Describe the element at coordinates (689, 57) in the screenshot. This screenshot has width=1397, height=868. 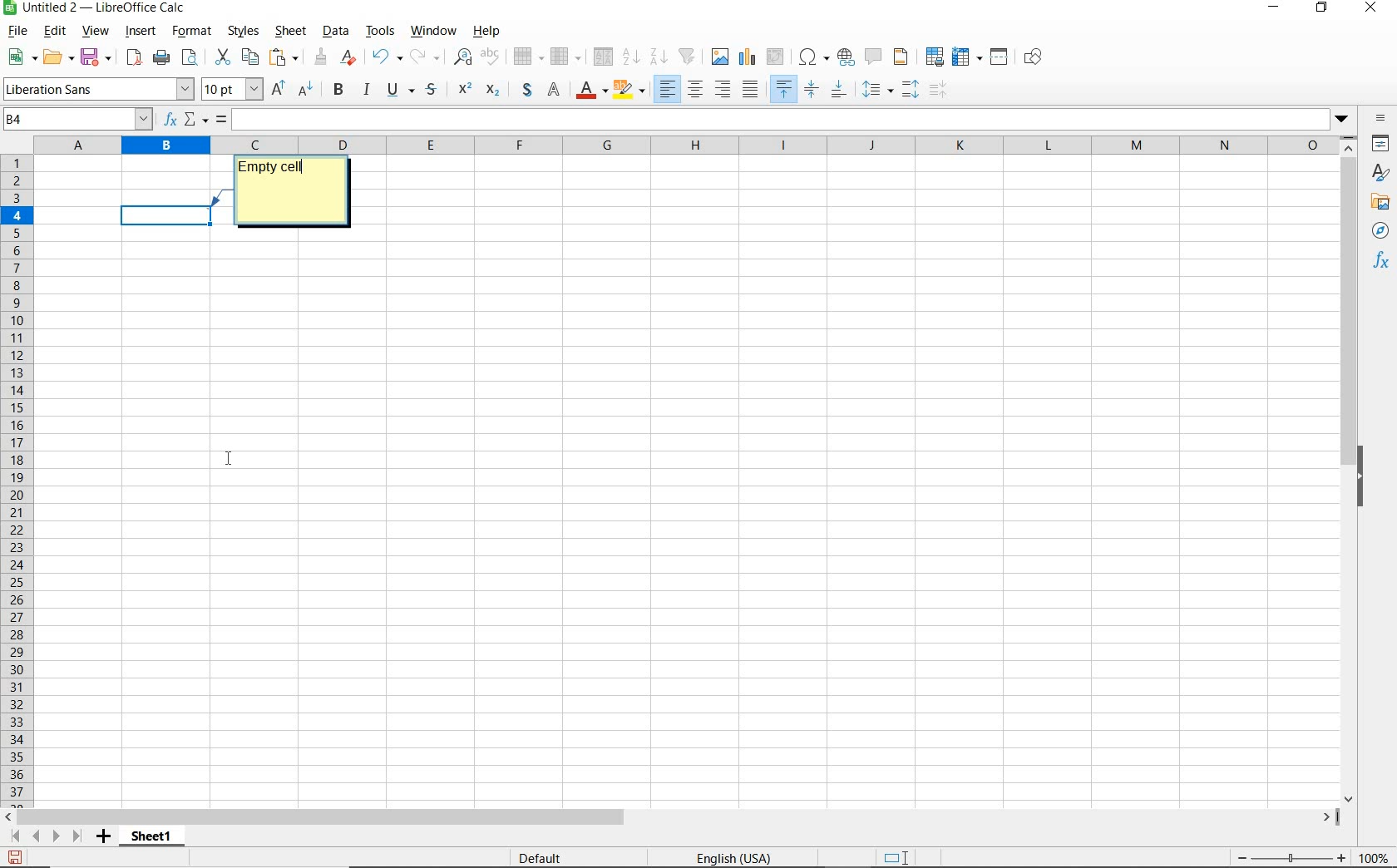
I see `AutoFilter` at that location.